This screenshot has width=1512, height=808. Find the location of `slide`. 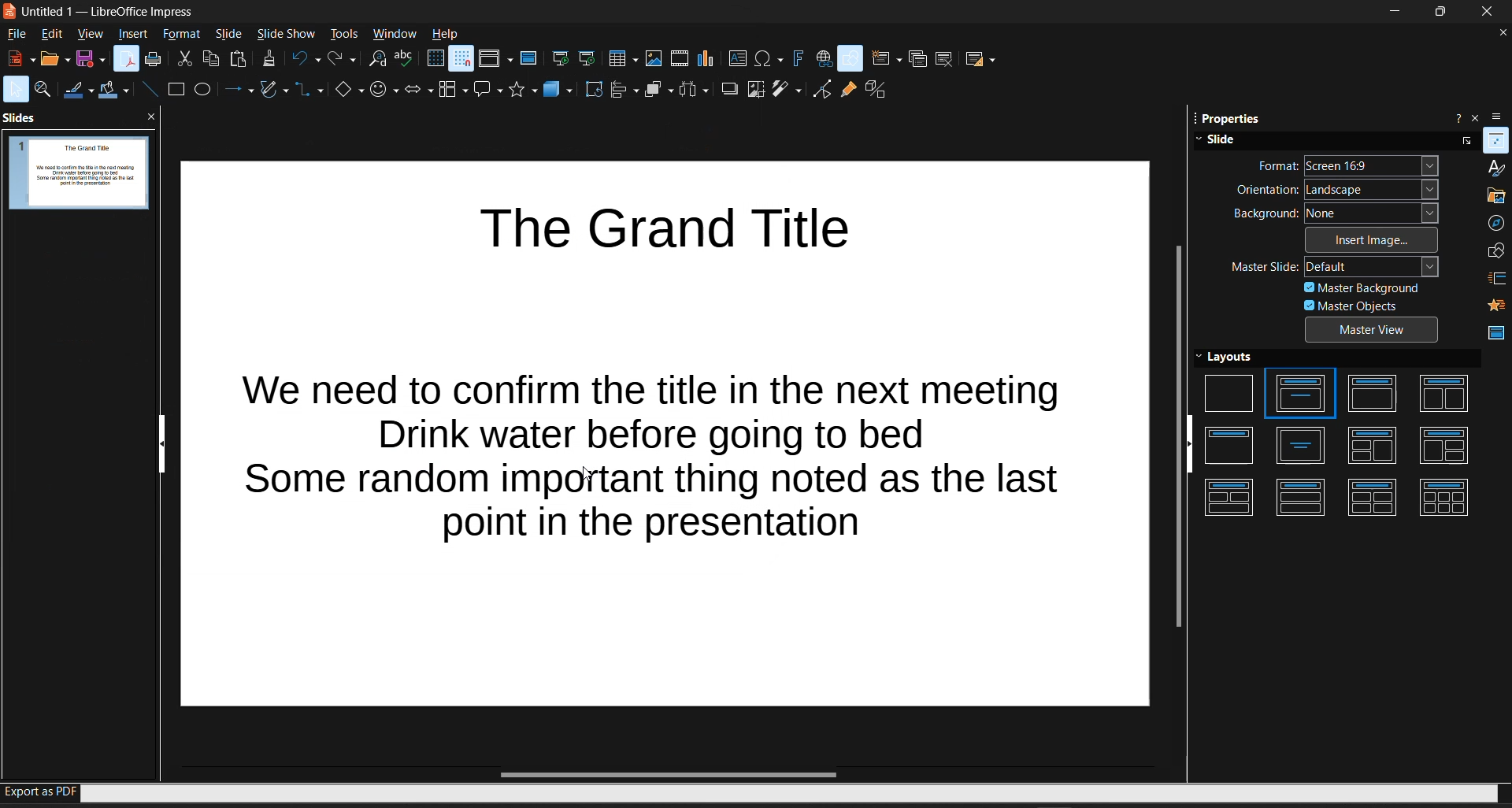

slide is located at coordinates (227, 33).